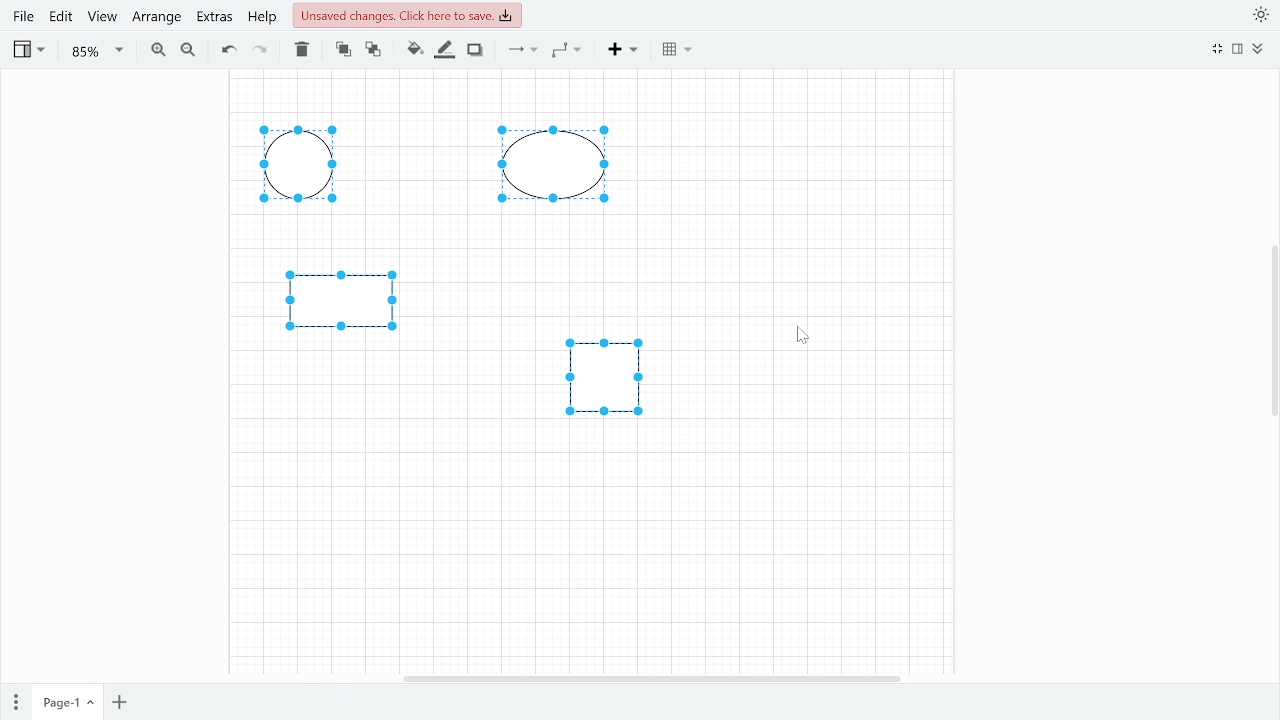  I want to click on Undo, so click(226, 50).